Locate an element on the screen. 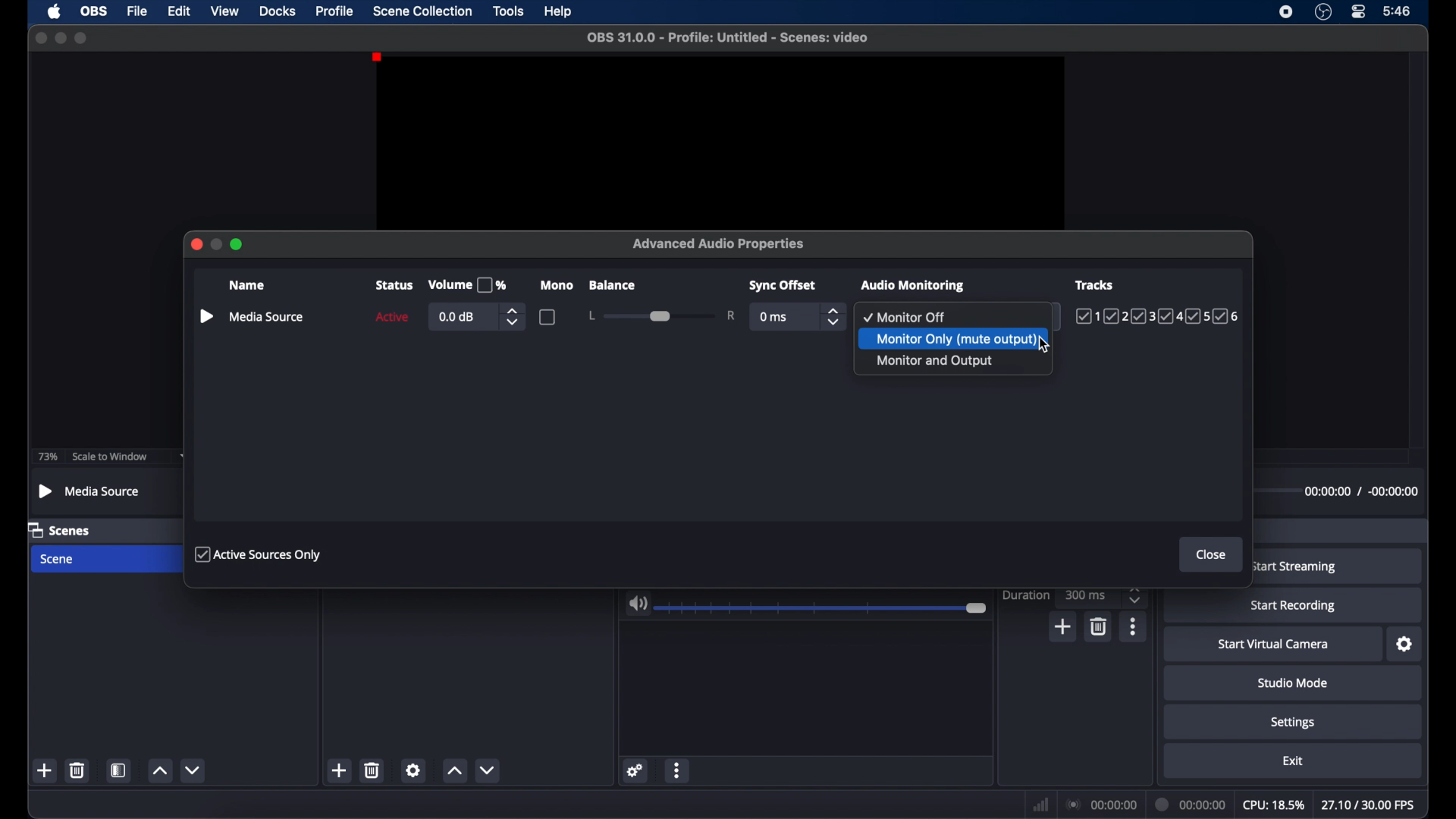 This screenshot has width=1456, height=819. profile is located at coordinates (335, 10).